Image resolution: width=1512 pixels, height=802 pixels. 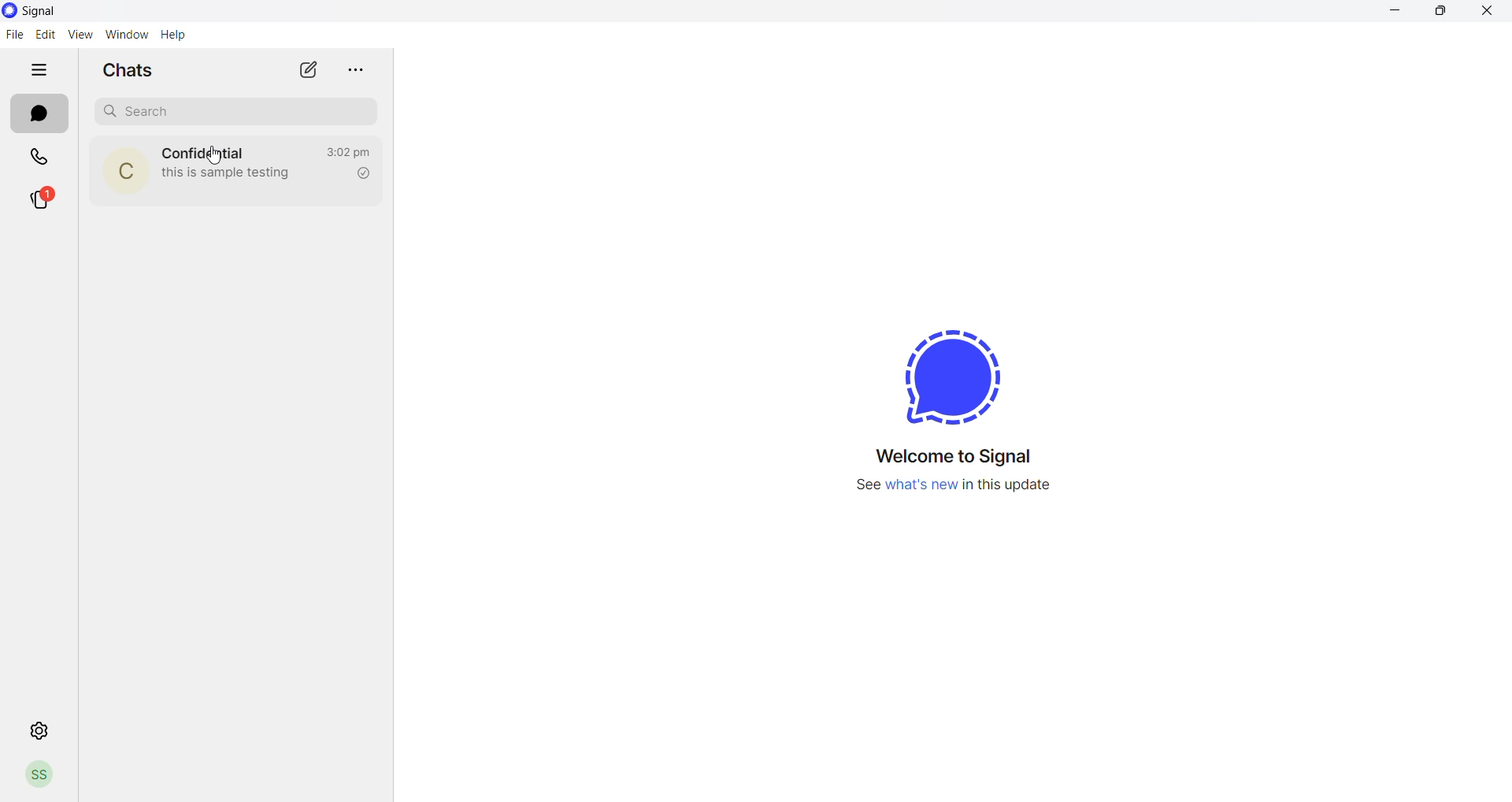 I want to click on settings, so click(x=32, y=732).